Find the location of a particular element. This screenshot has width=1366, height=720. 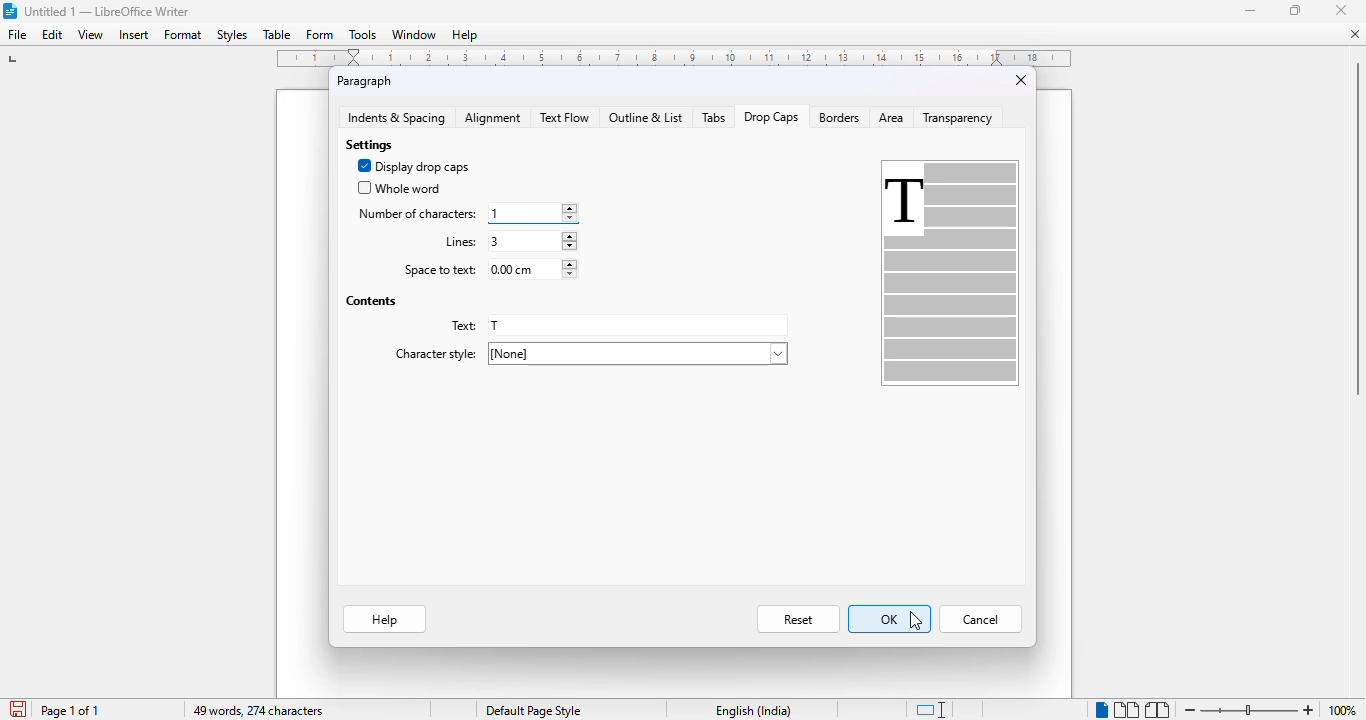

whole word is located at coordinates (398, 186).